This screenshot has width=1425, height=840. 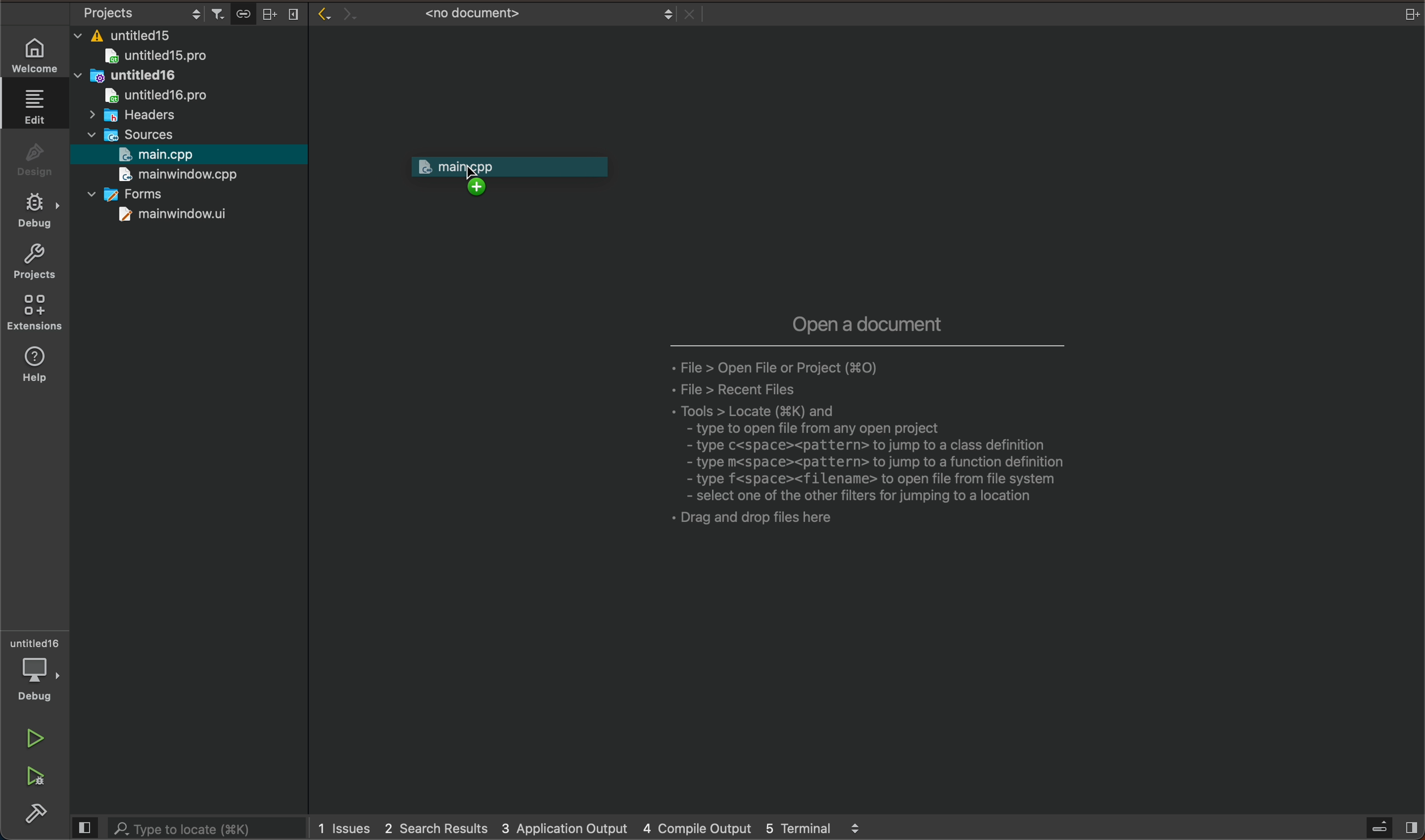 I want to click on select project, so click(x=138, y=14).